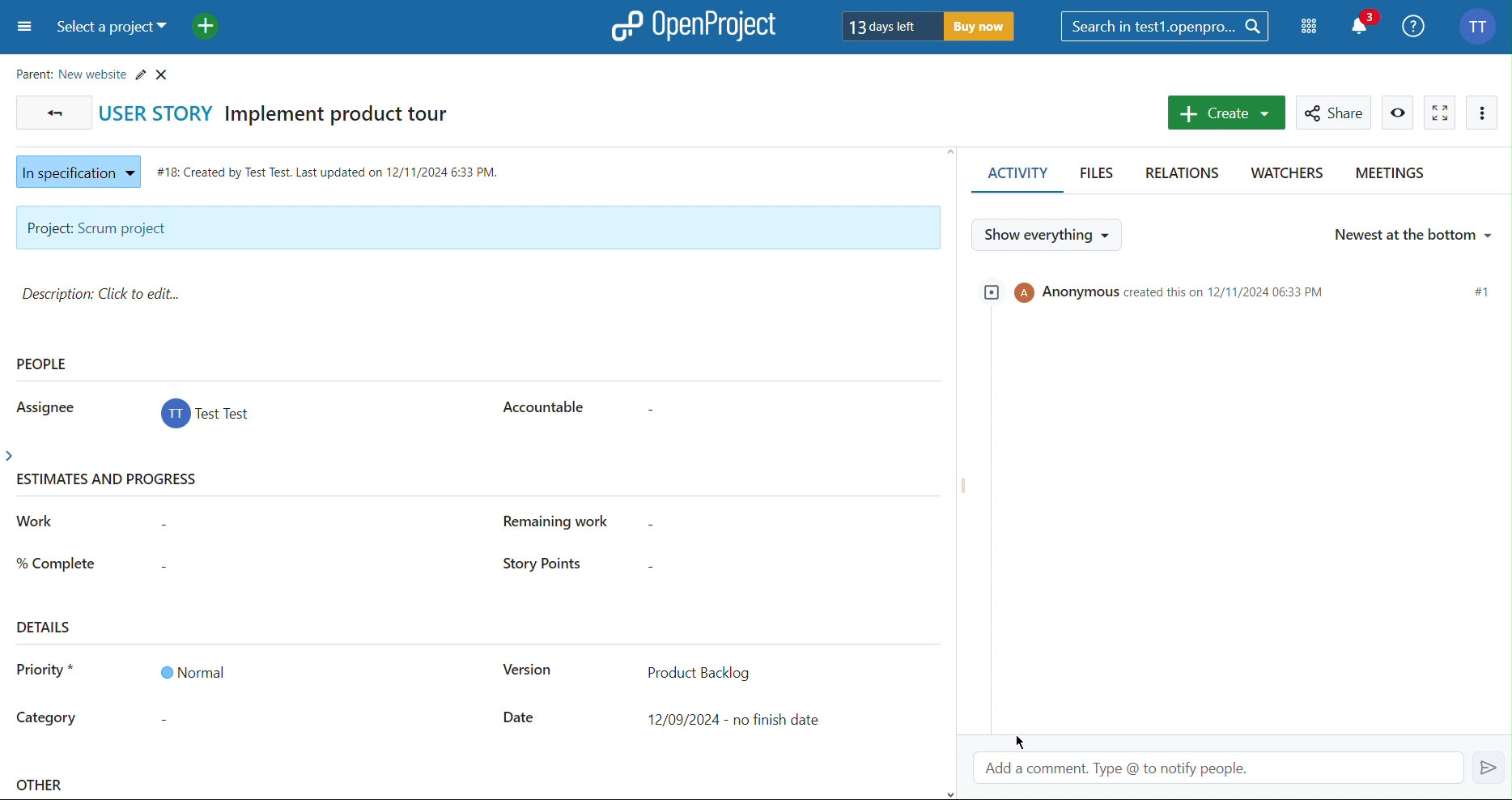 The height and width of the screenshot is (800, 1512). I want to click on Fullscreen, so click(1440, 112).